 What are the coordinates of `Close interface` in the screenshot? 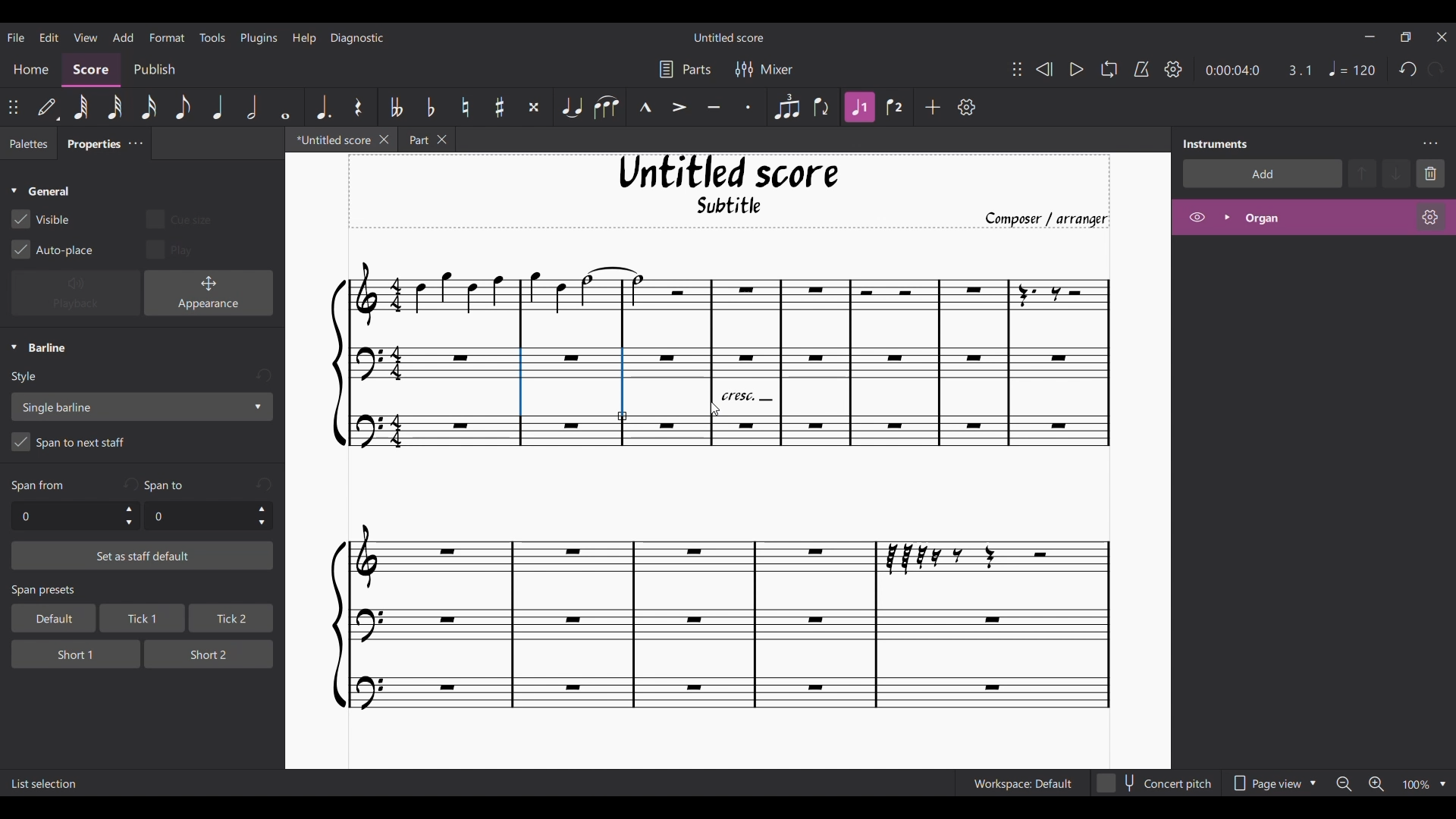 It's located at (1442, 37).